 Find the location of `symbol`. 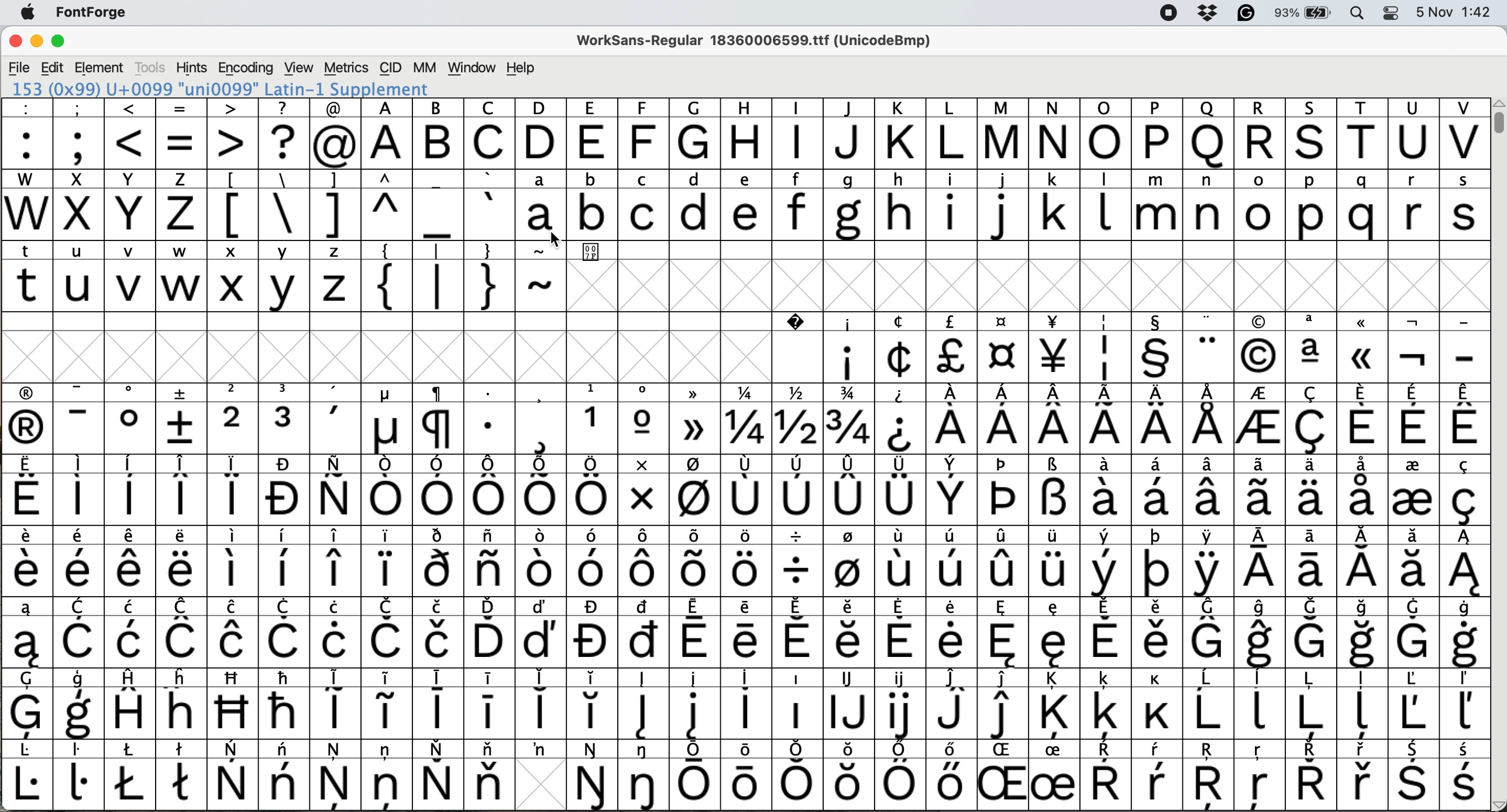

symbol is located at coordinates (181, 562).